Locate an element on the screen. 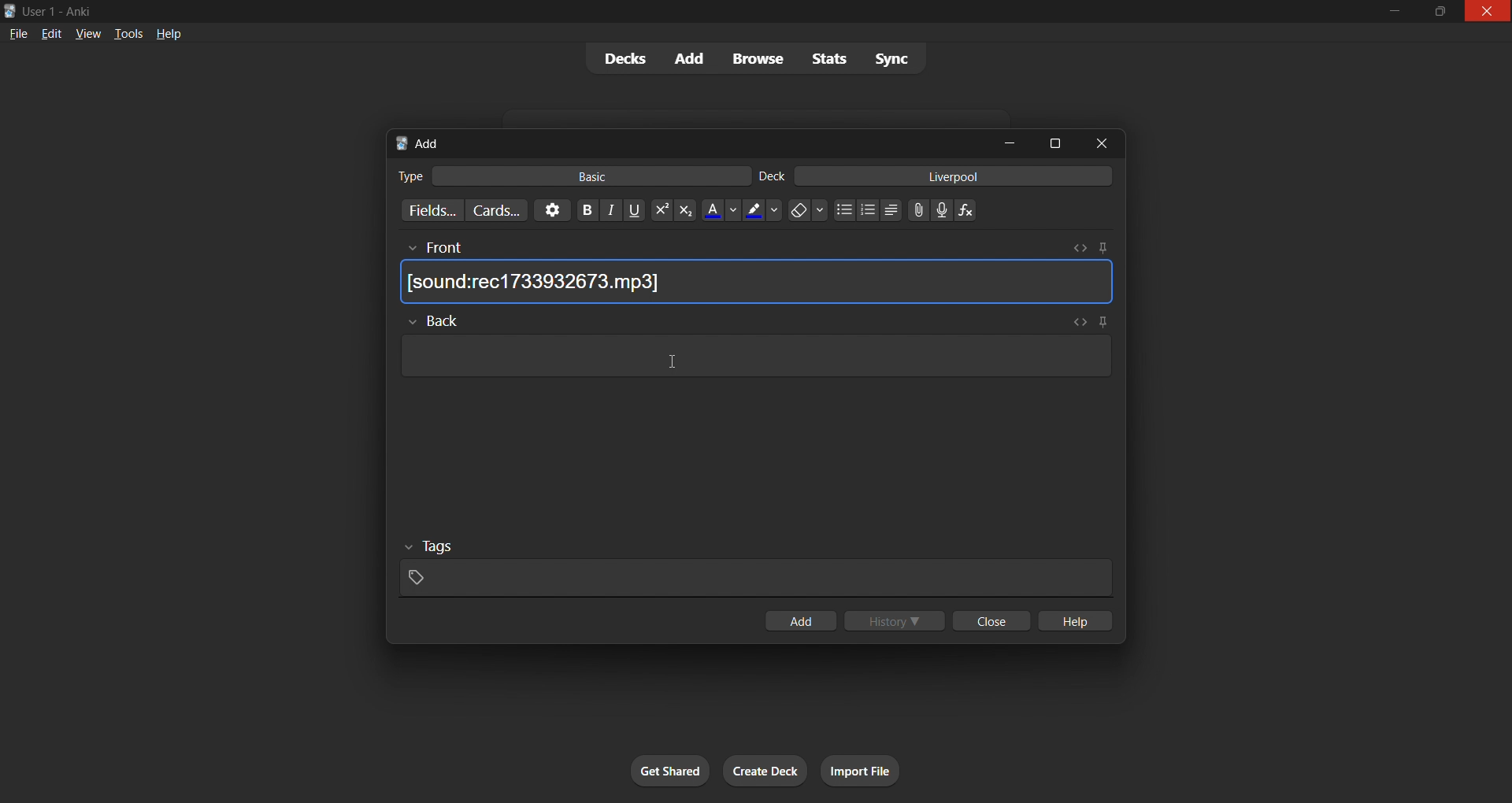  import file is located at coordinates (876, 768).